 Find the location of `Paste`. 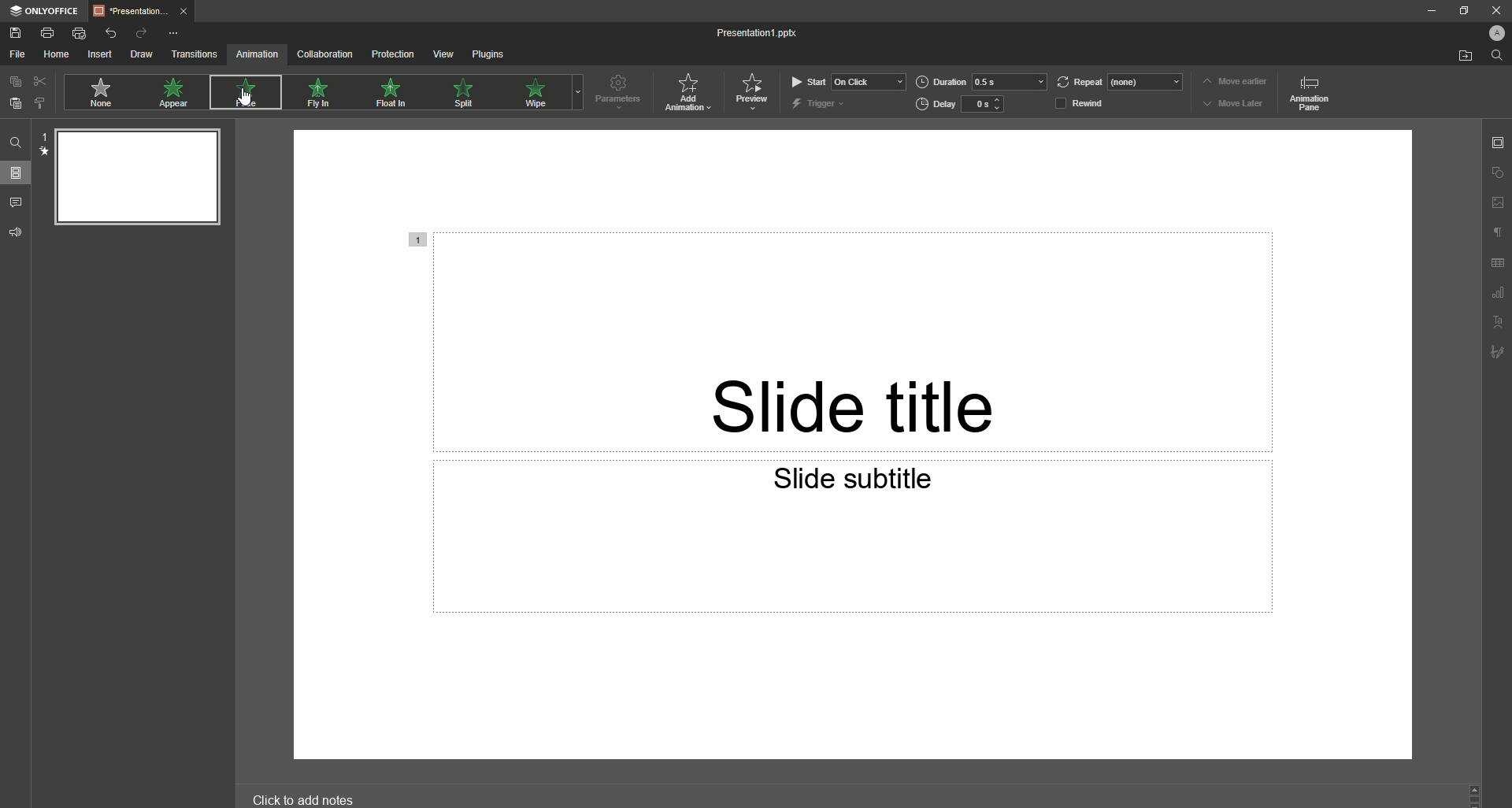

Paste is located at coordinates (14, 104).